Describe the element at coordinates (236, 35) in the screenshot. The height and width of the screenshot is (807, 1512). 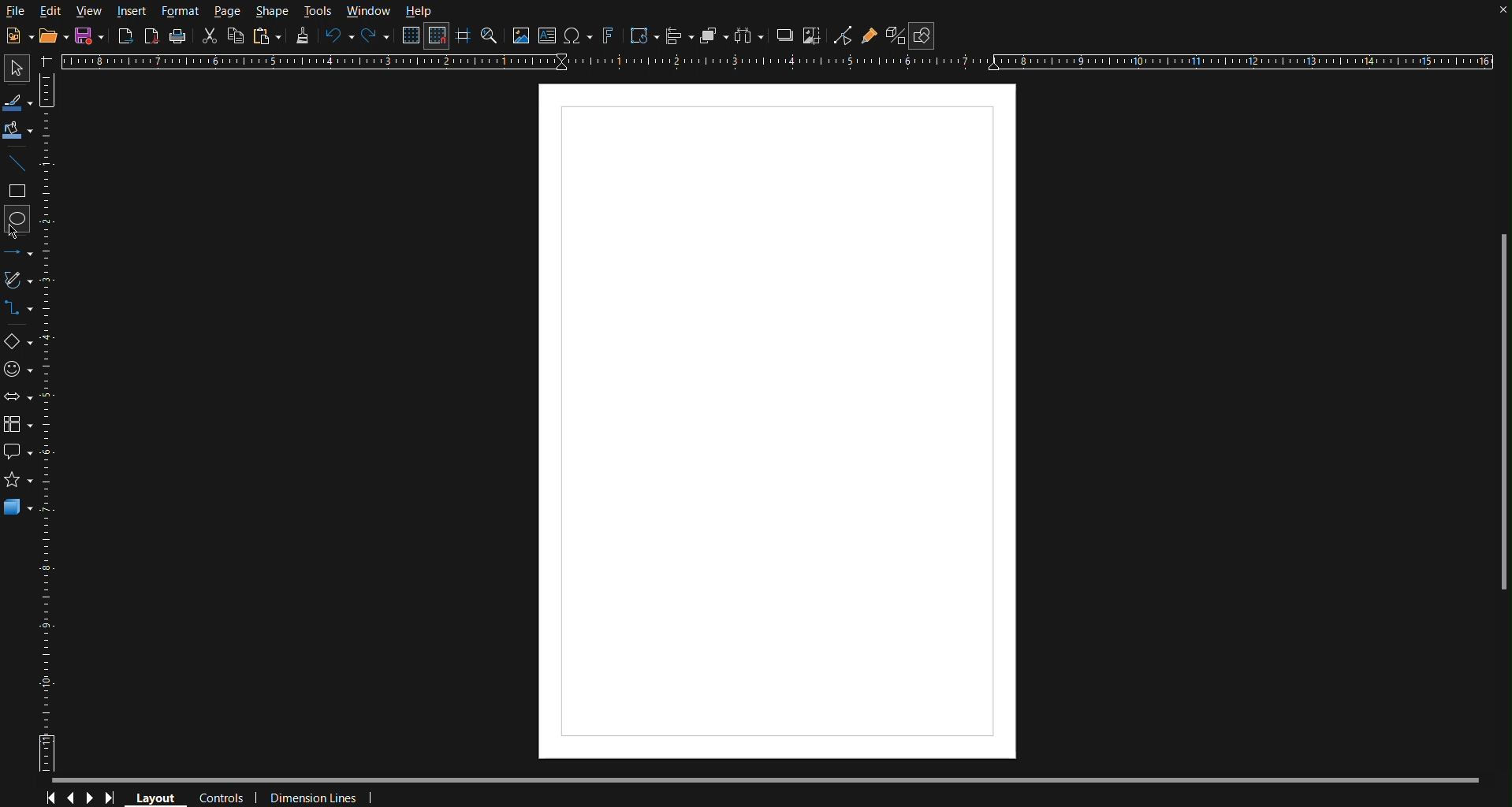
I see `Copy` at that location.